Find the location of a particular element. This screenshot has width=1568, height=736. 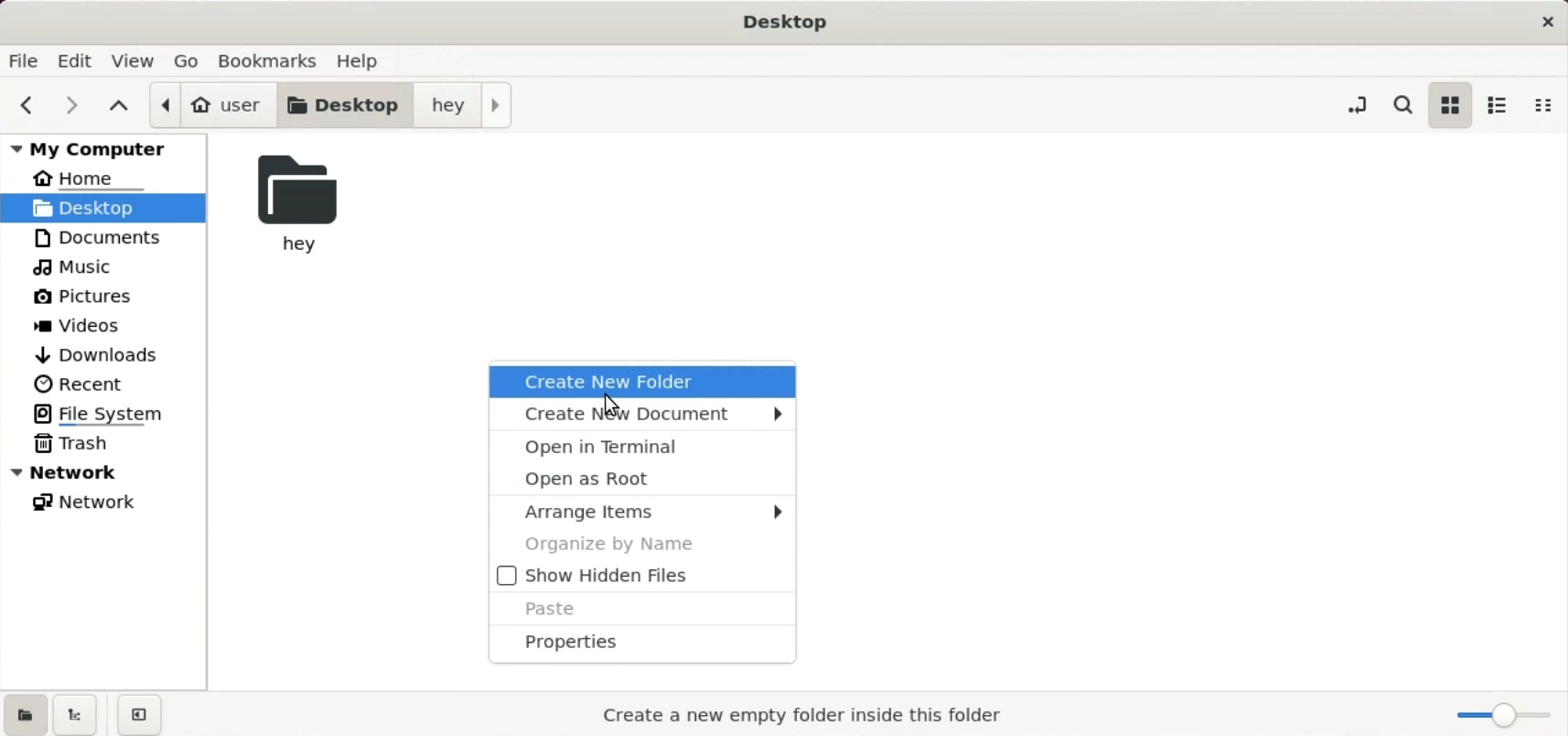

create new folder is located at coordinates (642, 380).